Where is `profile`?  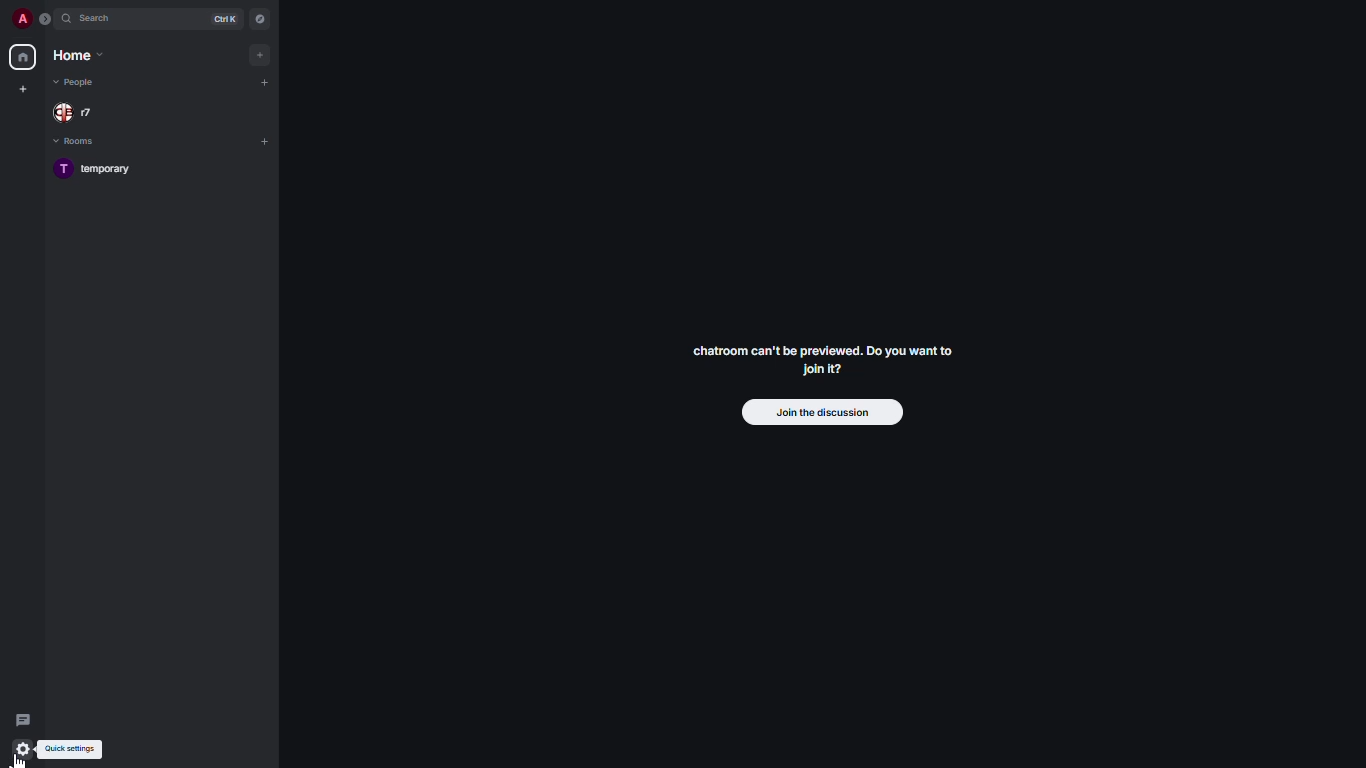
profile is located at coordinates (20, 18).